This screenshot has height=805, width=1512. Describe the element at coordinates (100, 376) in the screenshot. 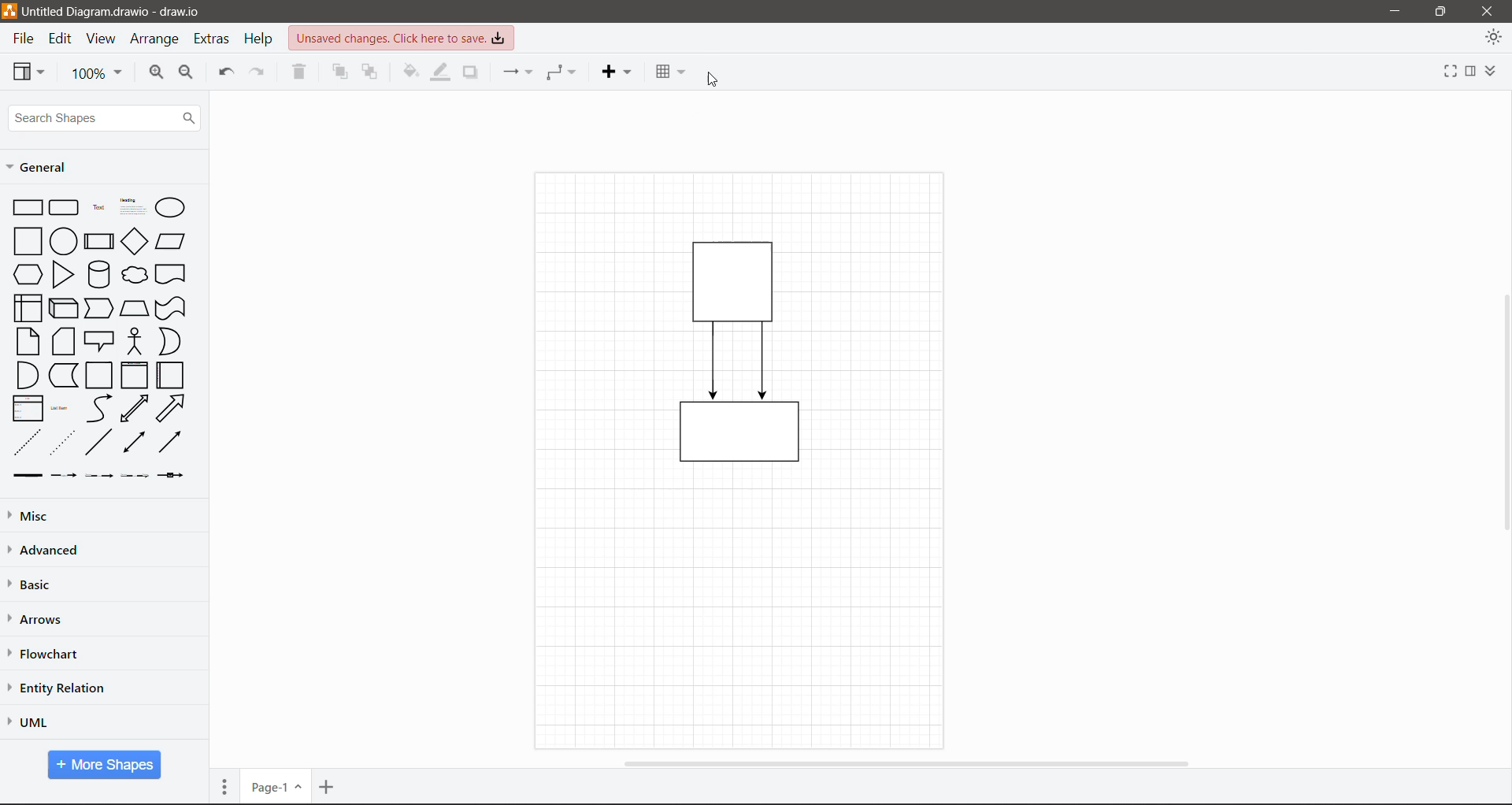

I see `Container` at that location.